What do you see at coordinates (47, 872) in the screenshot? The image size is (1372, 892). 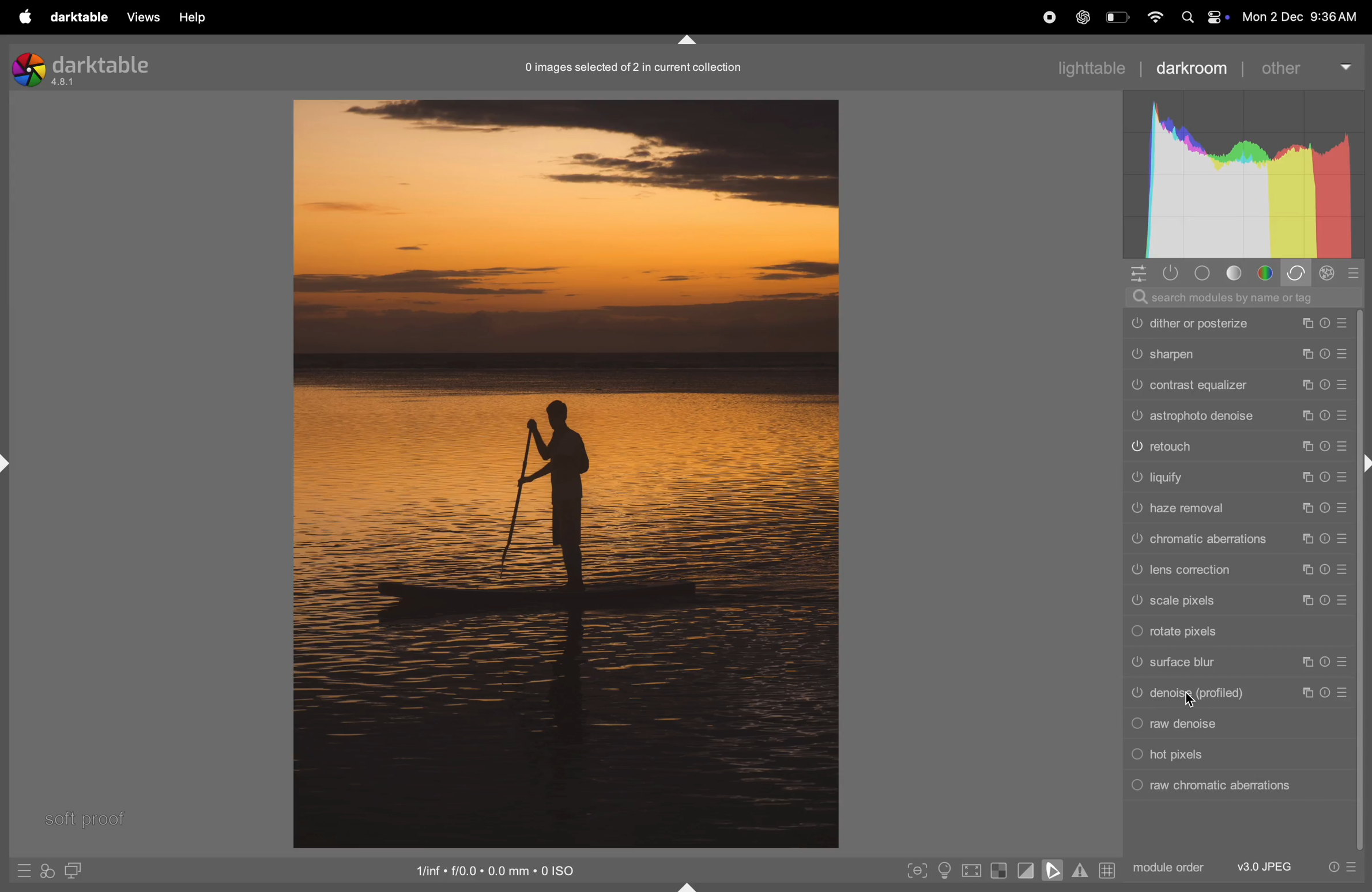 I see `quick acess to ypur styles` at bounding box center [47, 872].